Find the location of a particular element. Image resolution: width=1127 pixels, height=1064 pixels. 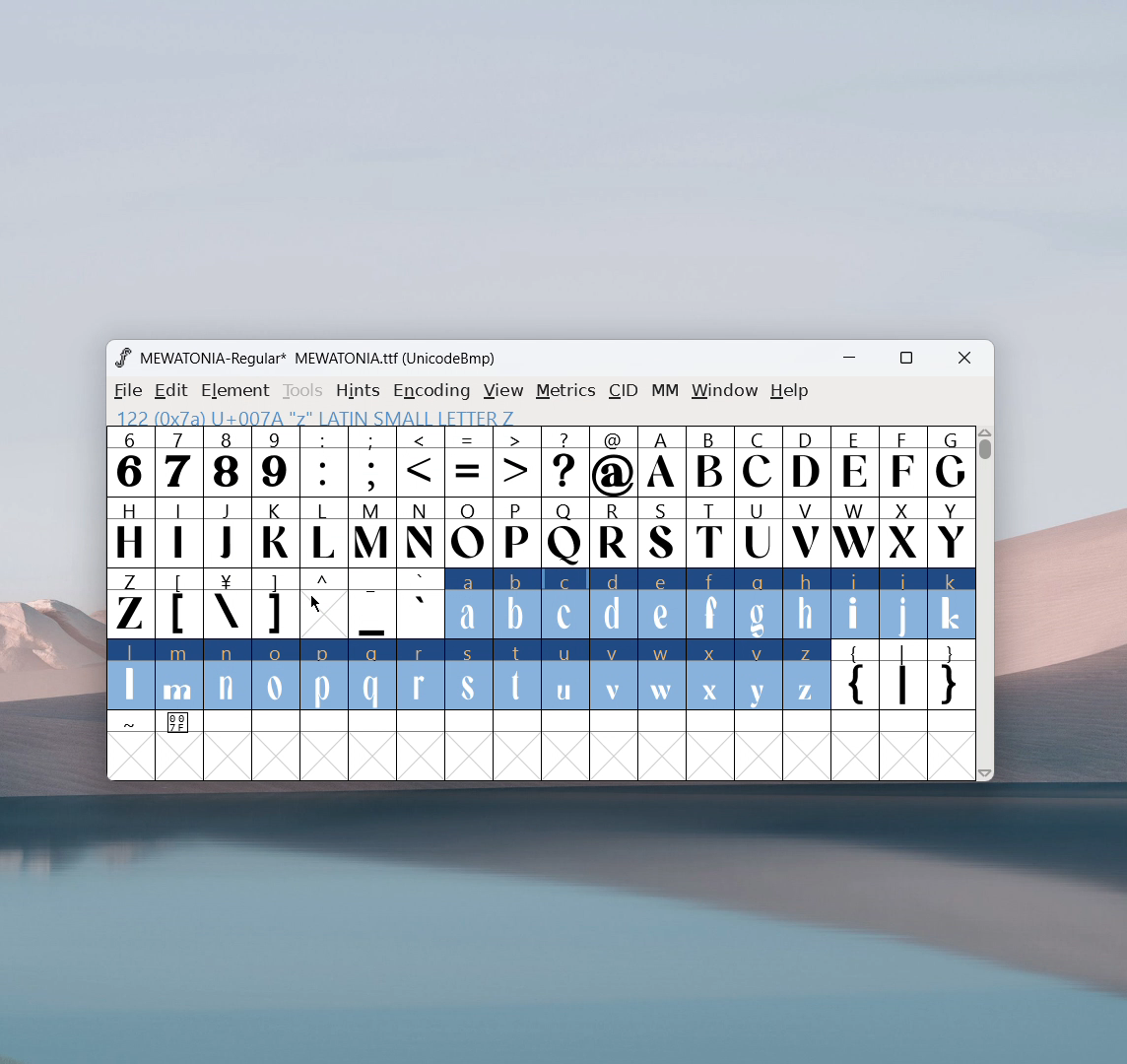

v is located at coordinates (613, 674).